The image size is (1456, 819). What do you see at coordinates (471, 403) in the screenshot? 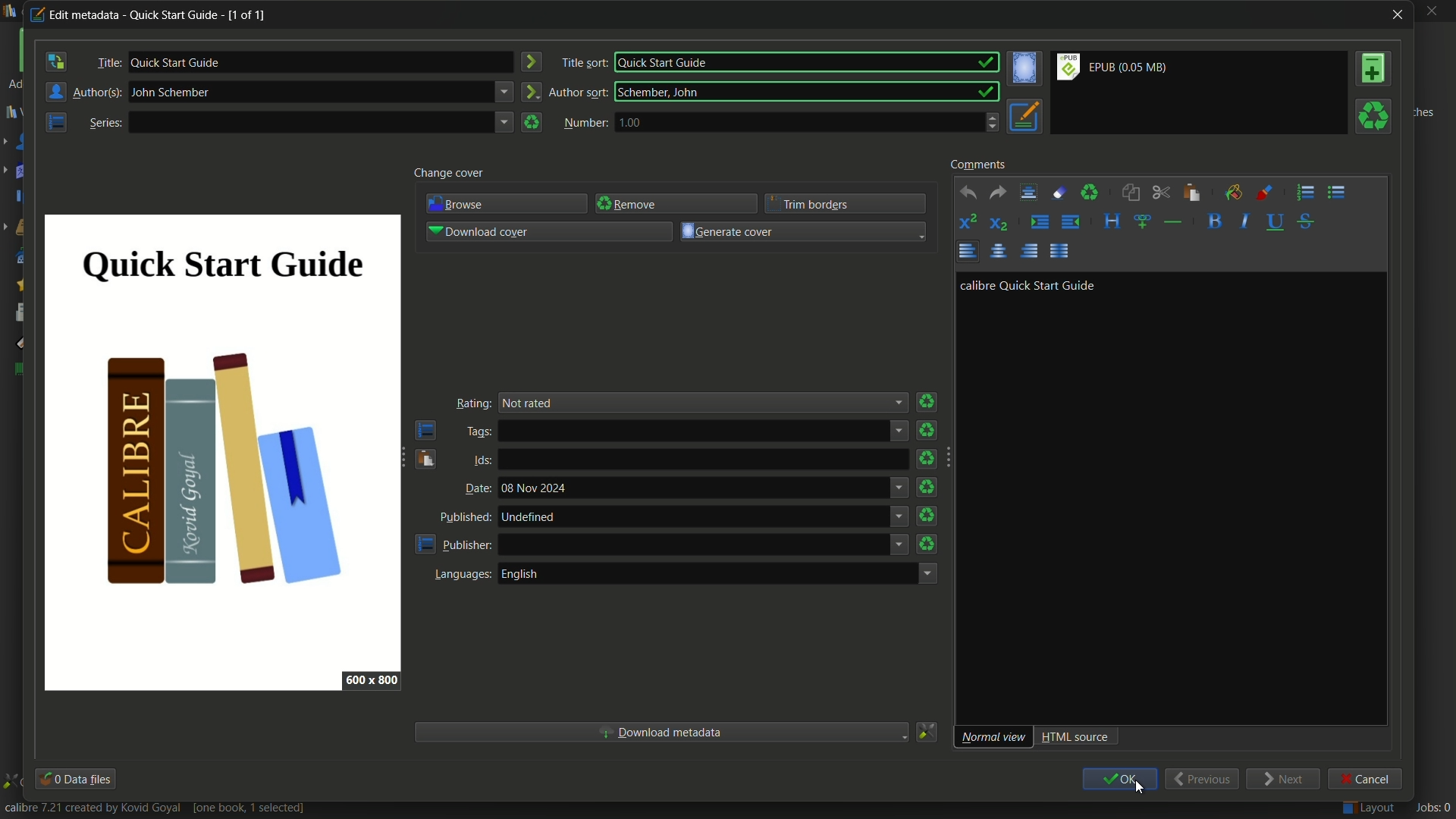
I see `Rating:` at bounding box center [471, 403].